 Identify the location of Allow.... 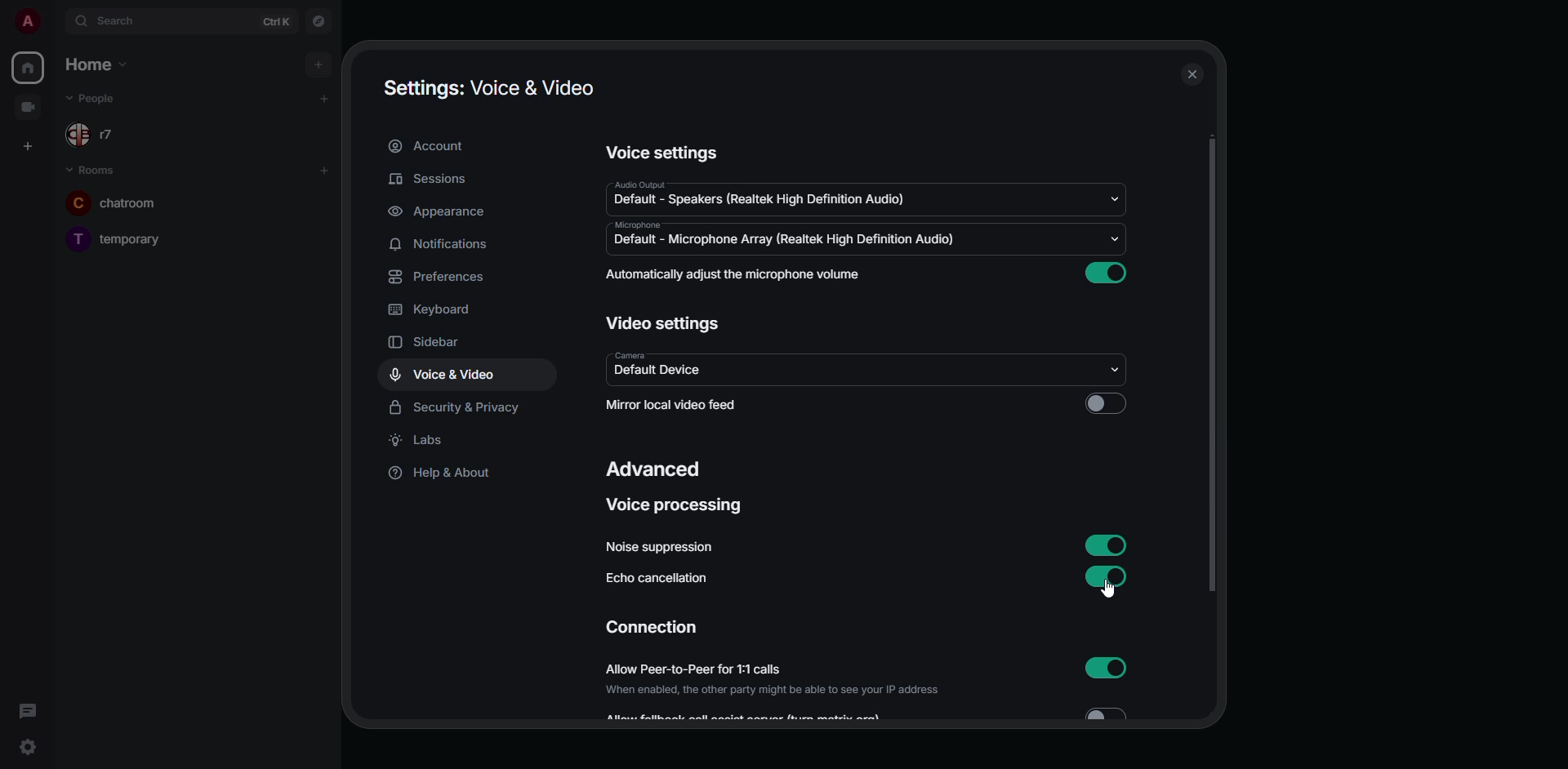
(747, 717).